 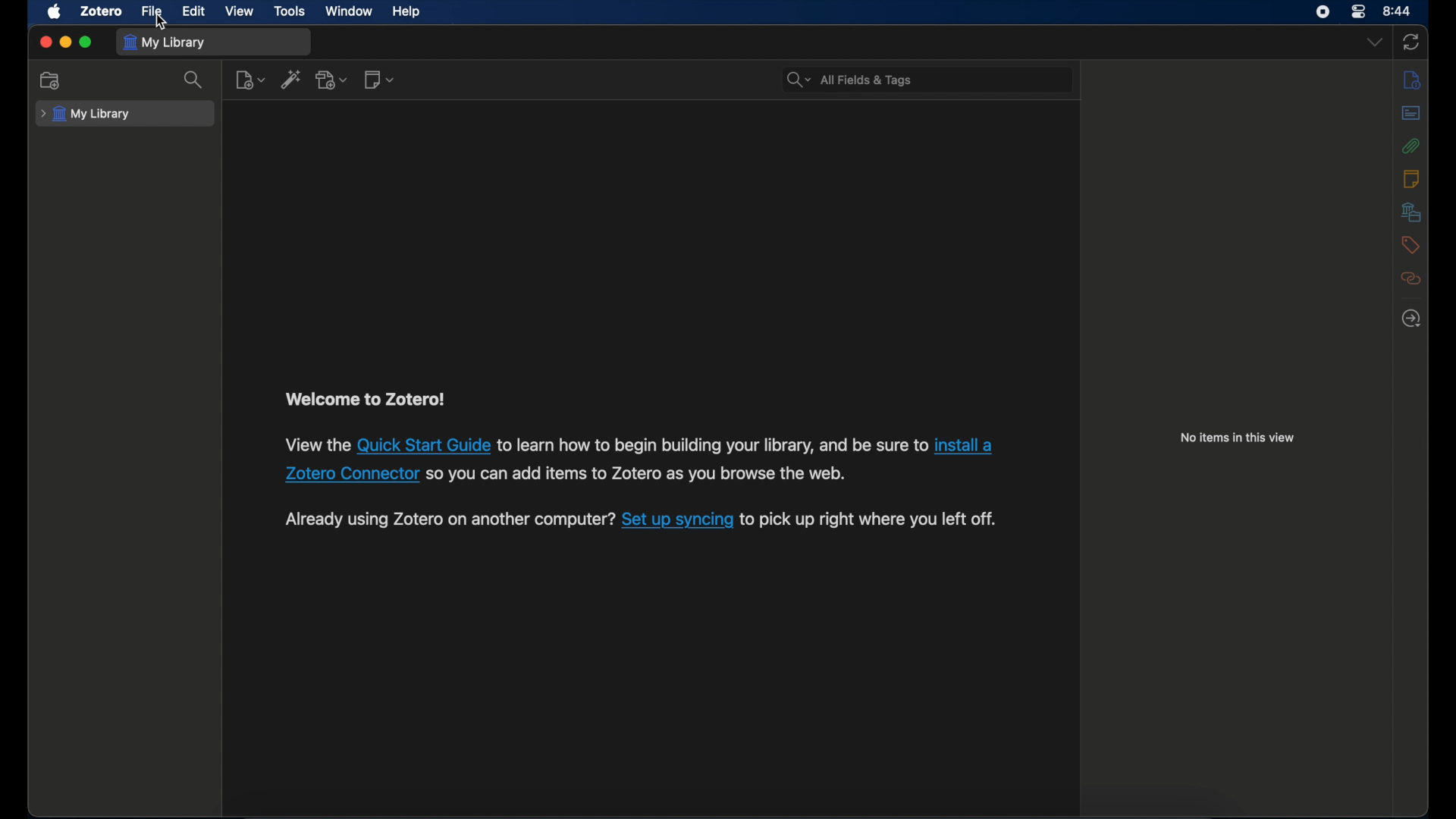 I want to click on edit, so click(x=192, y=11).